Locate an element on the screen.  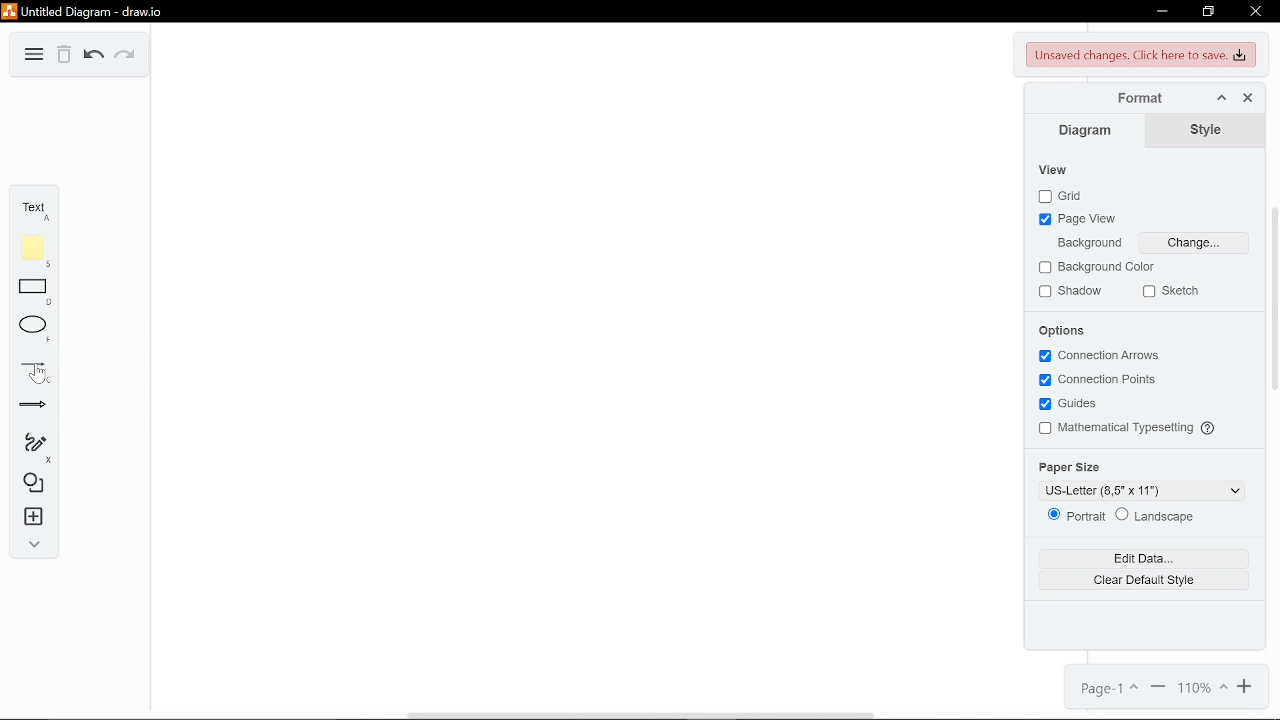
View is located at coordinates (1065, 171).